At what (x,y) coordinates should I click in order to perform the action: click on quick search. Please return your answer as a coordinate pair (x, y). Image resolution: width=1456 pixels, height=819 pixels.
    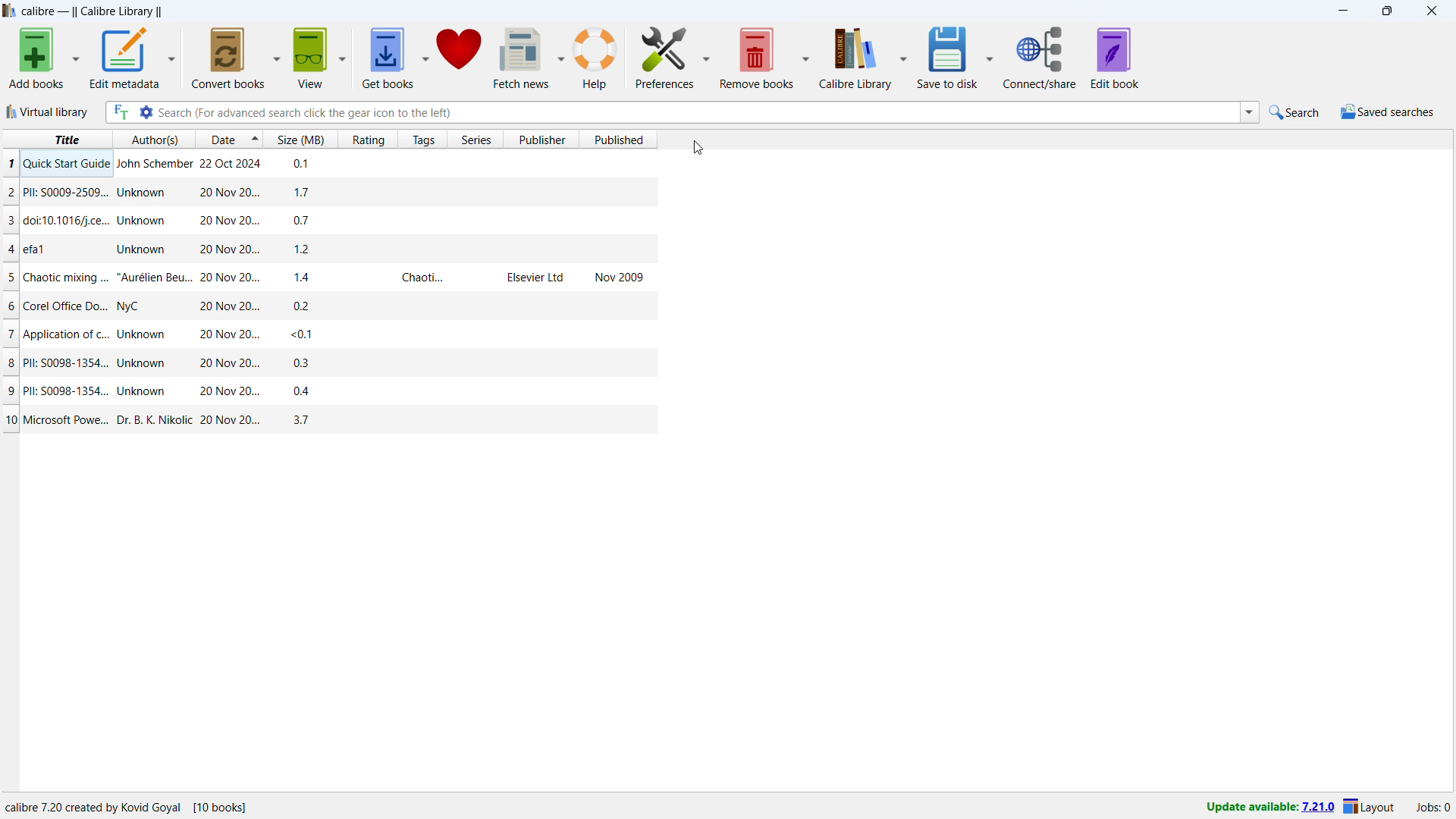
    Looking at the image, I should click on (1295, 111).